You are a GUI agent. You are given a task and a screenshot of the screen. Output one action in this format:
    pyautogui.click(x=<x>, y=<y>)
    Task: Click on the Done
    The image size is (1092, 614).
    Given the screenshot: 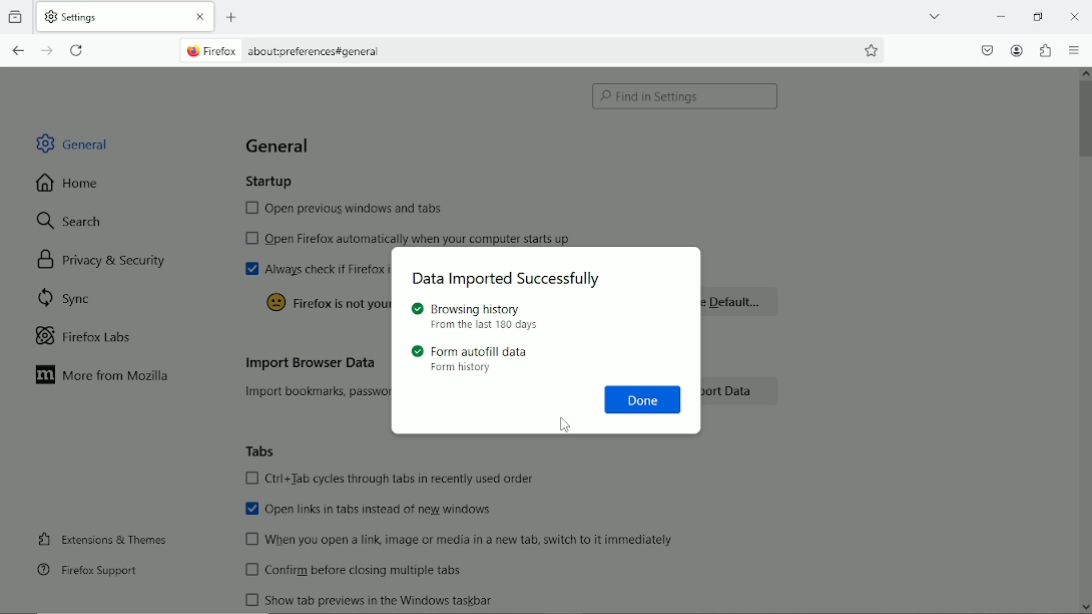 What is the action you would take?
    pyautogui.click(x=643, y=399)
    